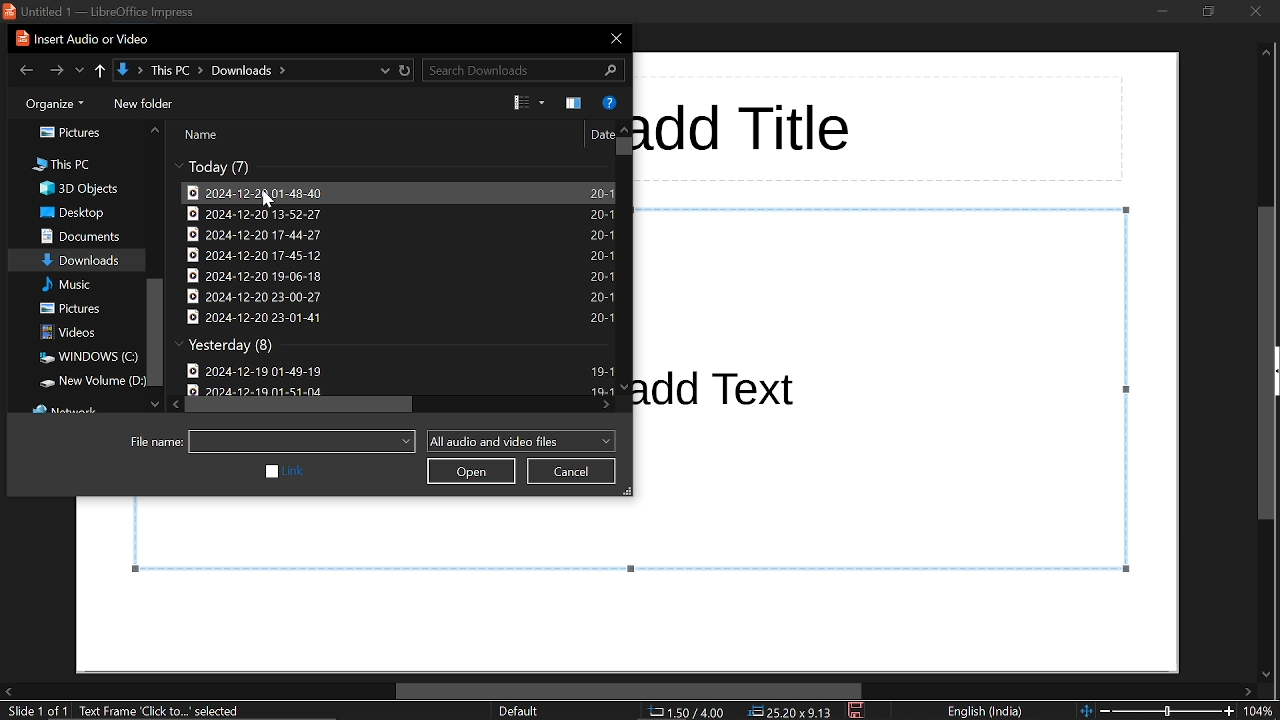  Describe the element at coordinates (80, 237) in the screenshot. I see `documents` at that location.